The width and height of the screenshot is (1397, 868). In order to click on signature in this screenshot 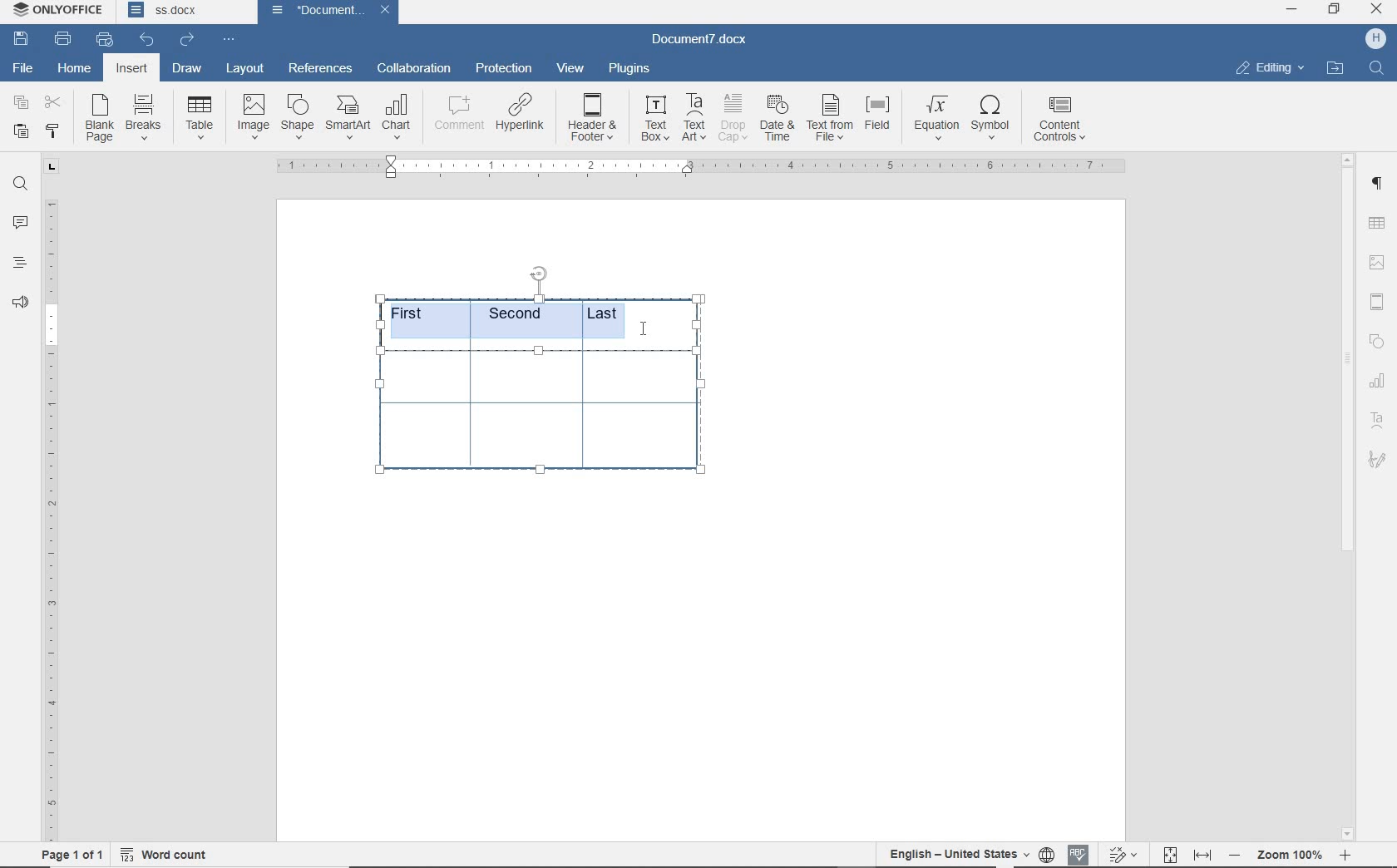, I will do `click(1379, 462)`.